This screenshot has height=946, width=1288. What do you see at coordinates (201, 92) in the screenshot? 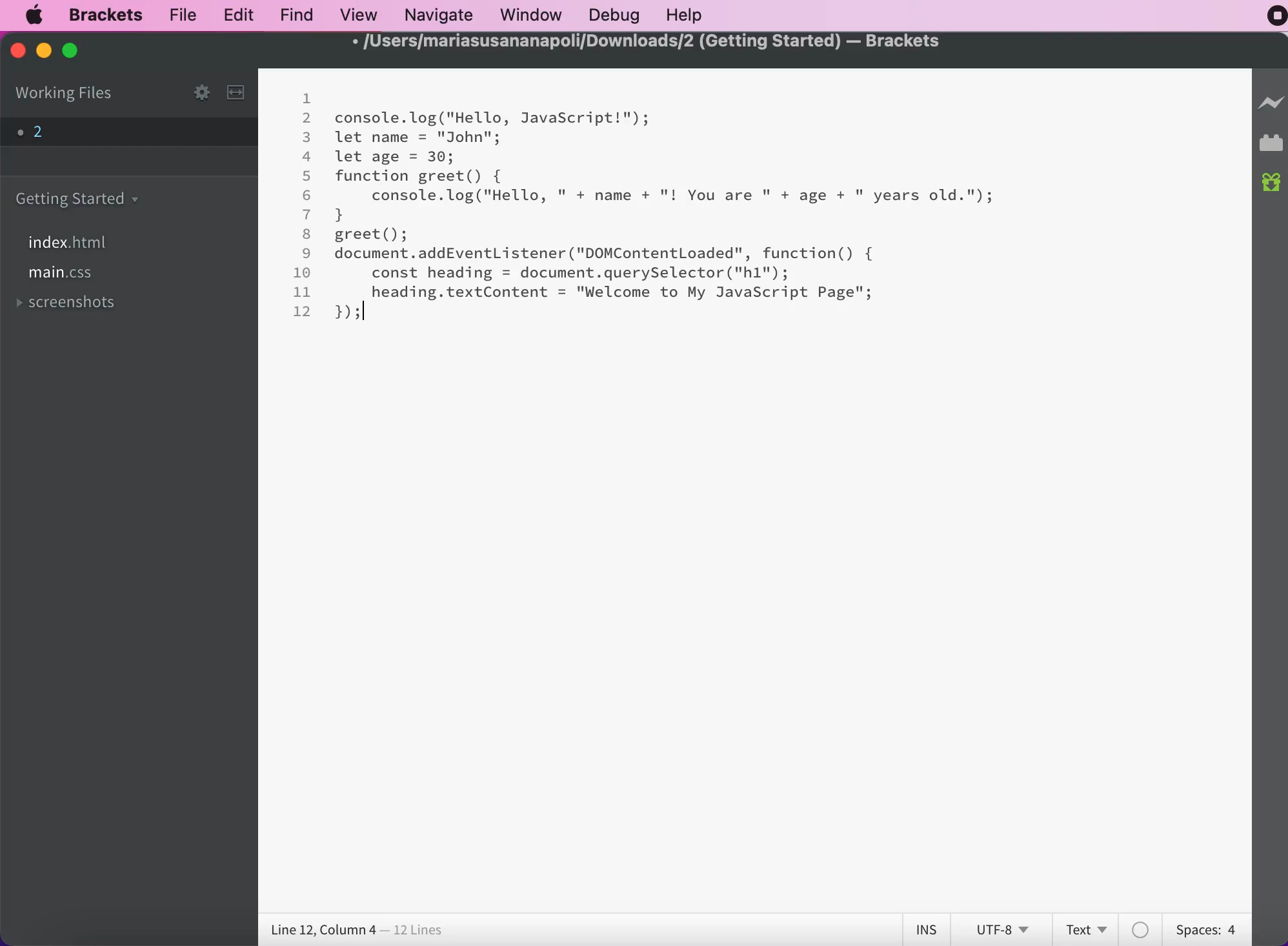
I see `configure working set` at bounding box center [201, 92].